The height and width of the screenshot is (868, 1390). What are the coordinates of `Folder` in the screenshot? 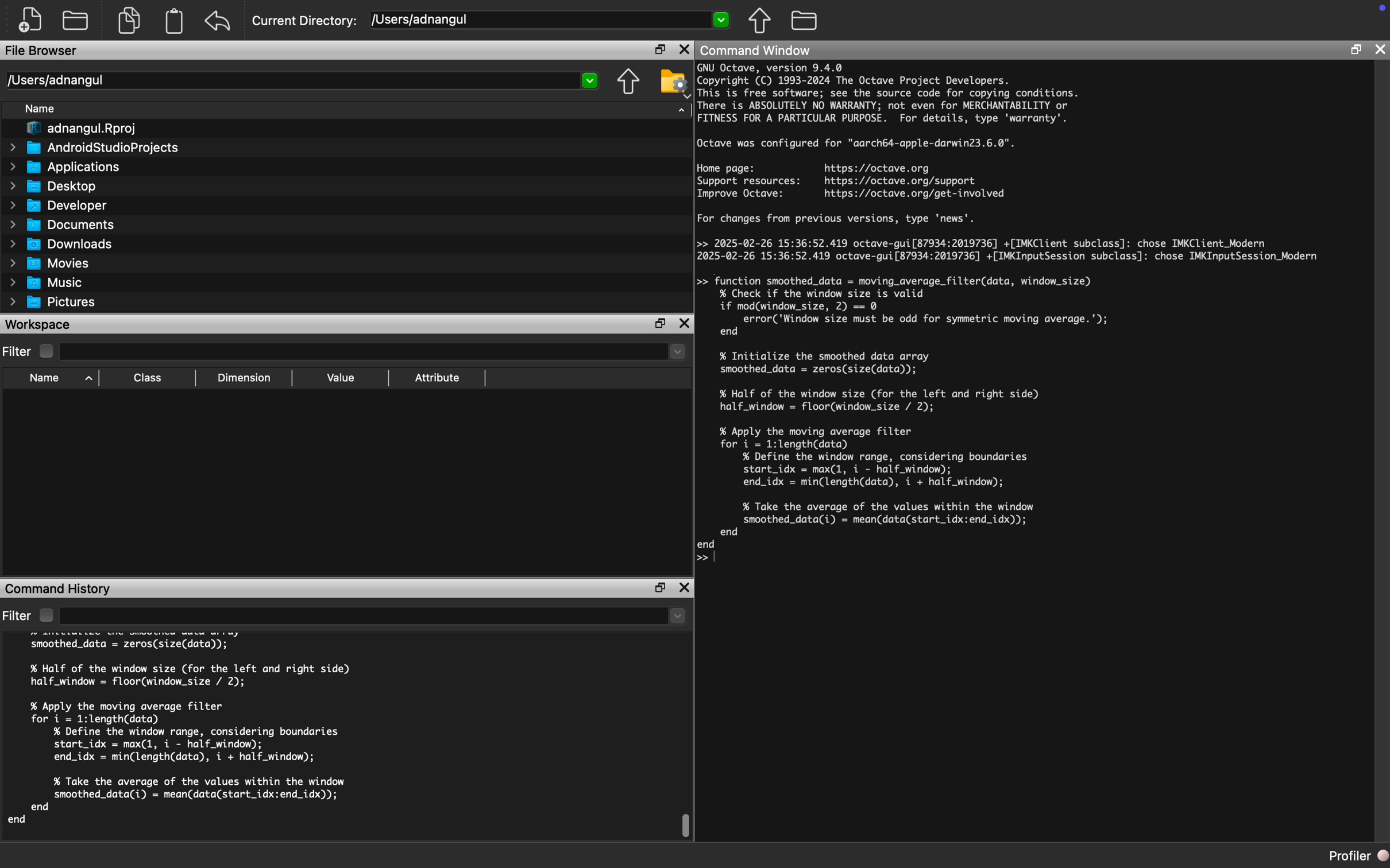 It's located at (805, 19).